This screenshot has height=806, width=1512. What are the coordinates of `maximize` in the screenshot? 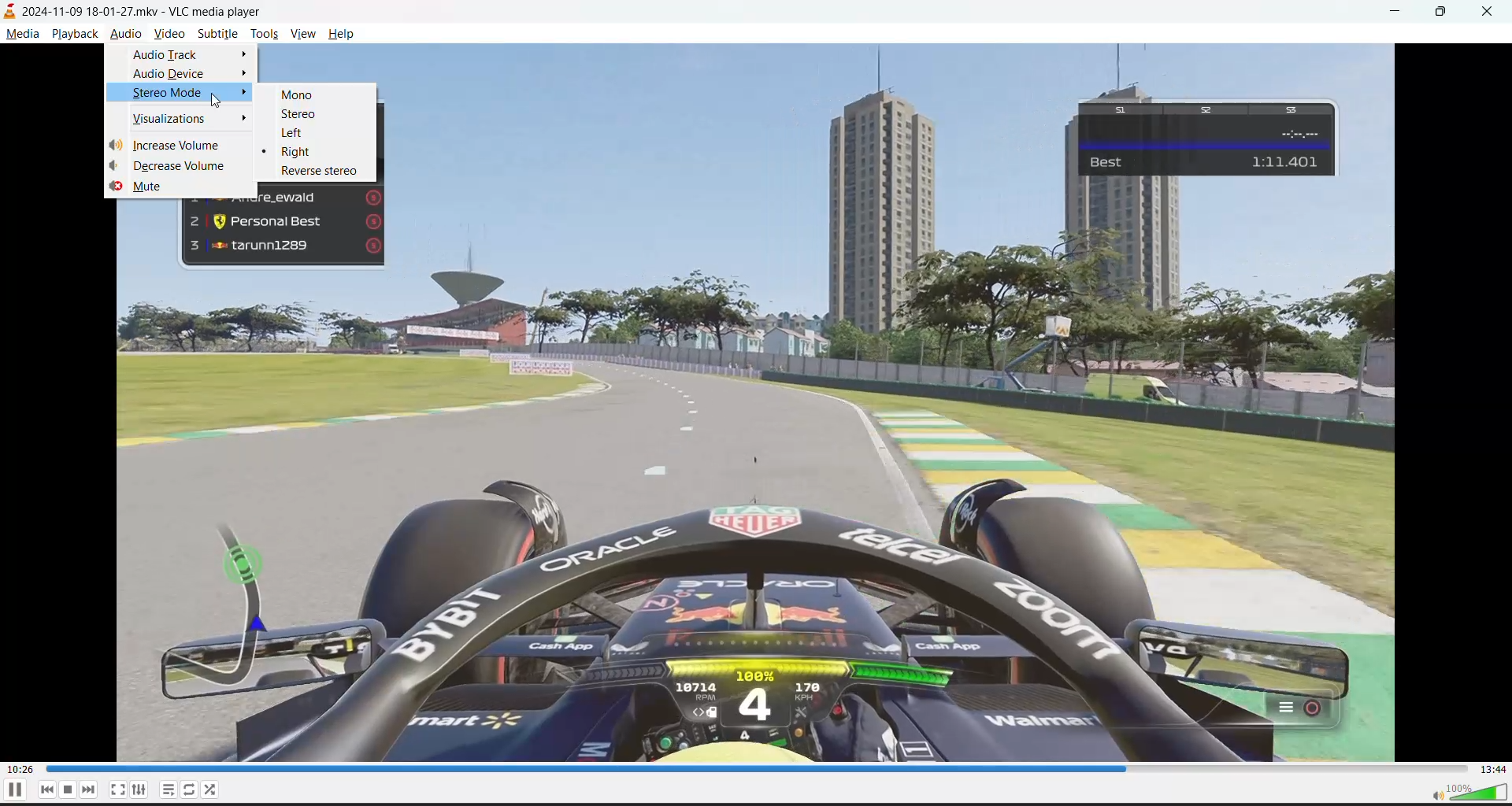 It's located at (1443, 13).